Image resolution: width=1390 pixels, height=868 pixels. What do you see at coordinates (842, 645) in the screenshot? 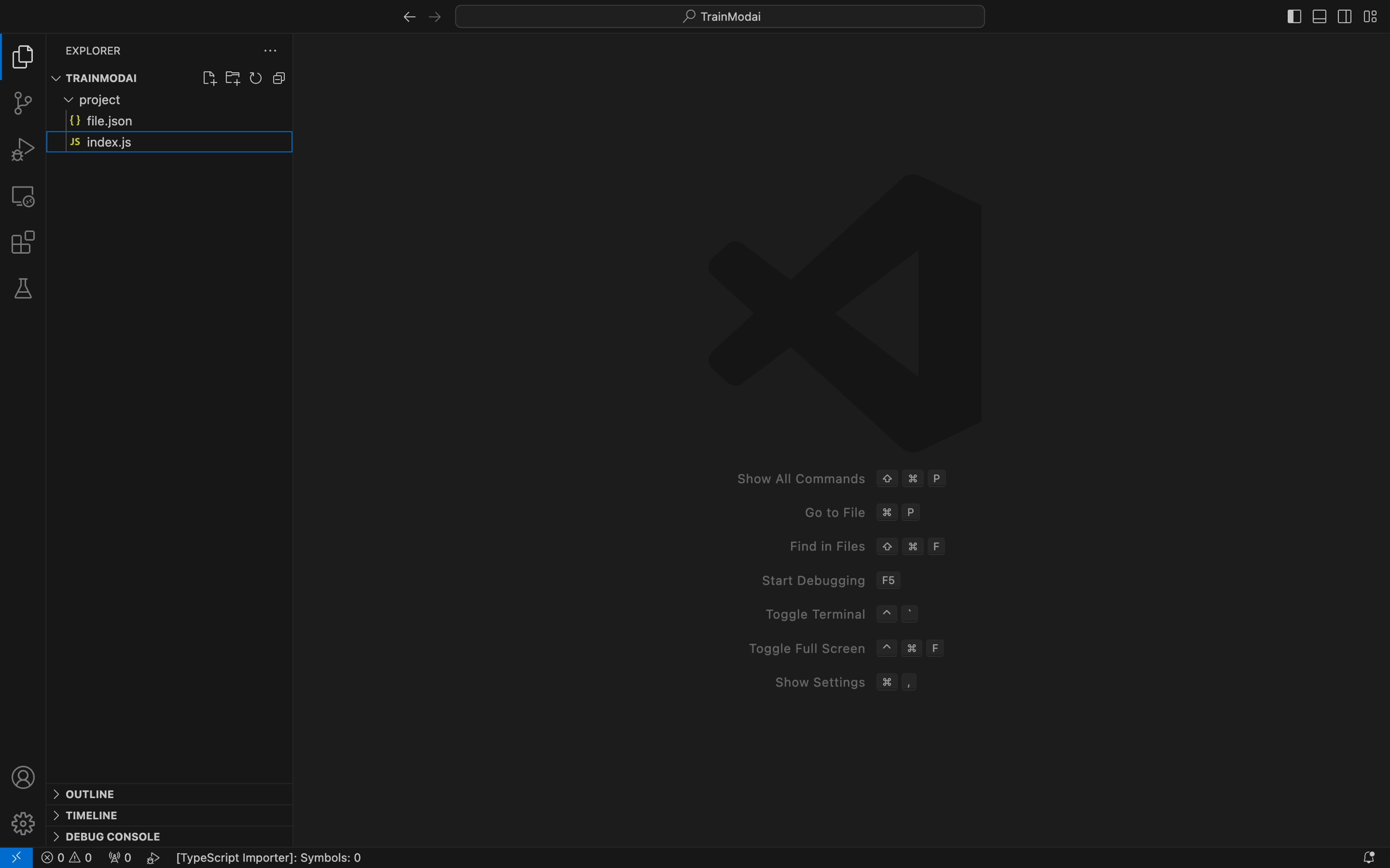
I see `Toggle Full Screen` at bounding box center [842, 645].